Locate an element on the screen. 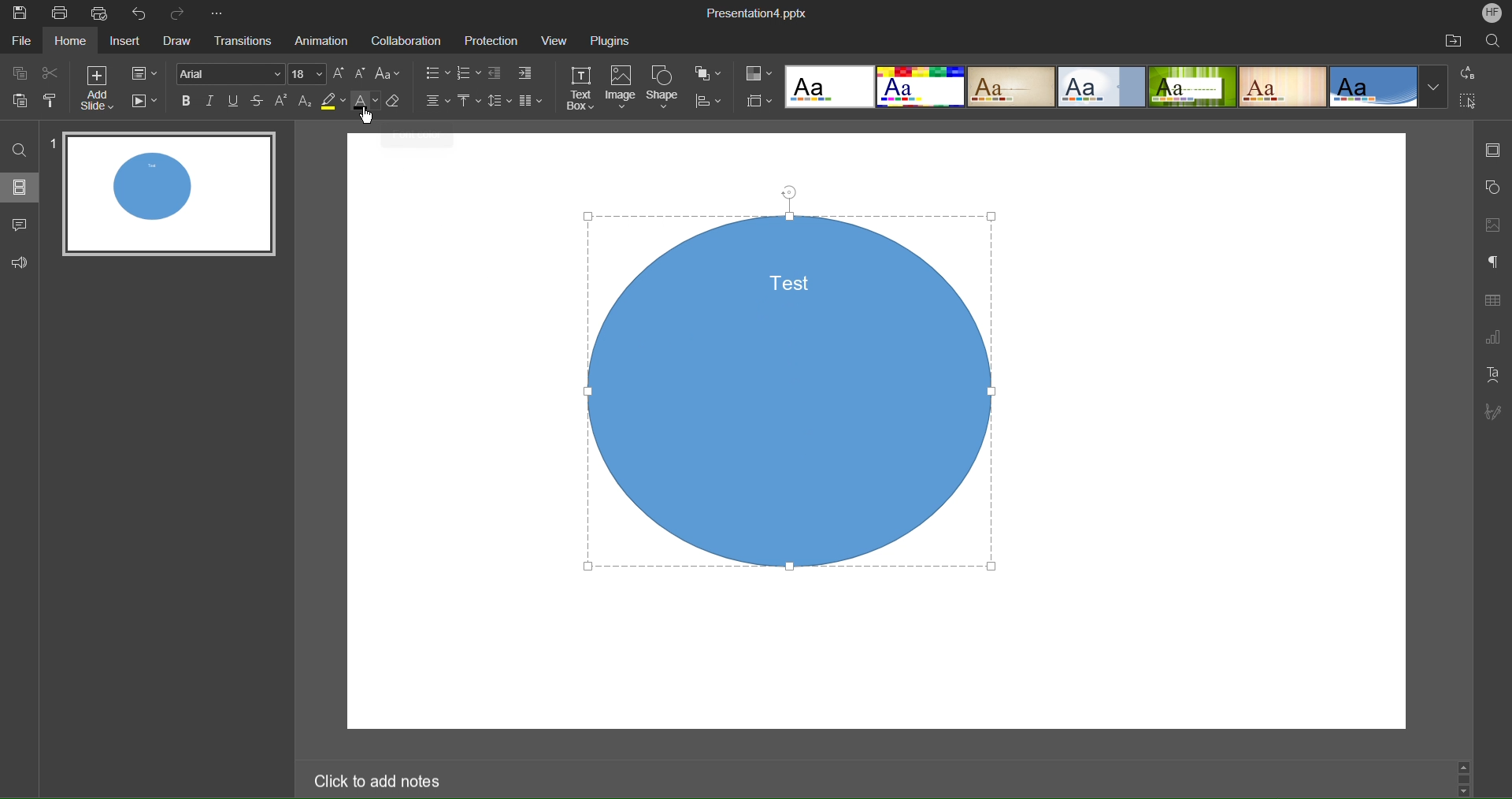  Highlight is located at coordinates (331, 102).